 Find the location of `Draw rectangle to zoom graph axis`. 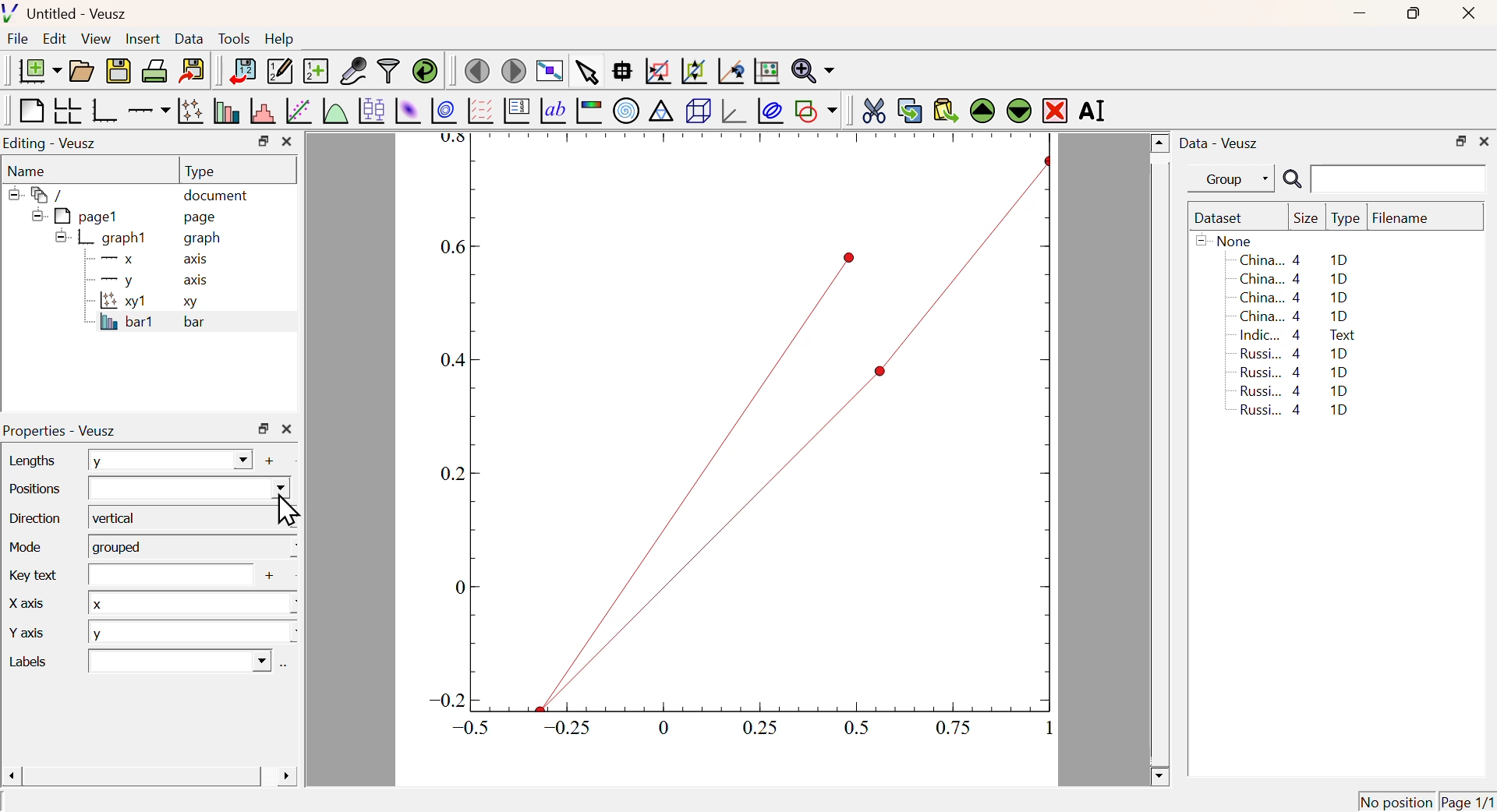

Draw rectangle to zoom graph axis is located at coordinates (656, 71).